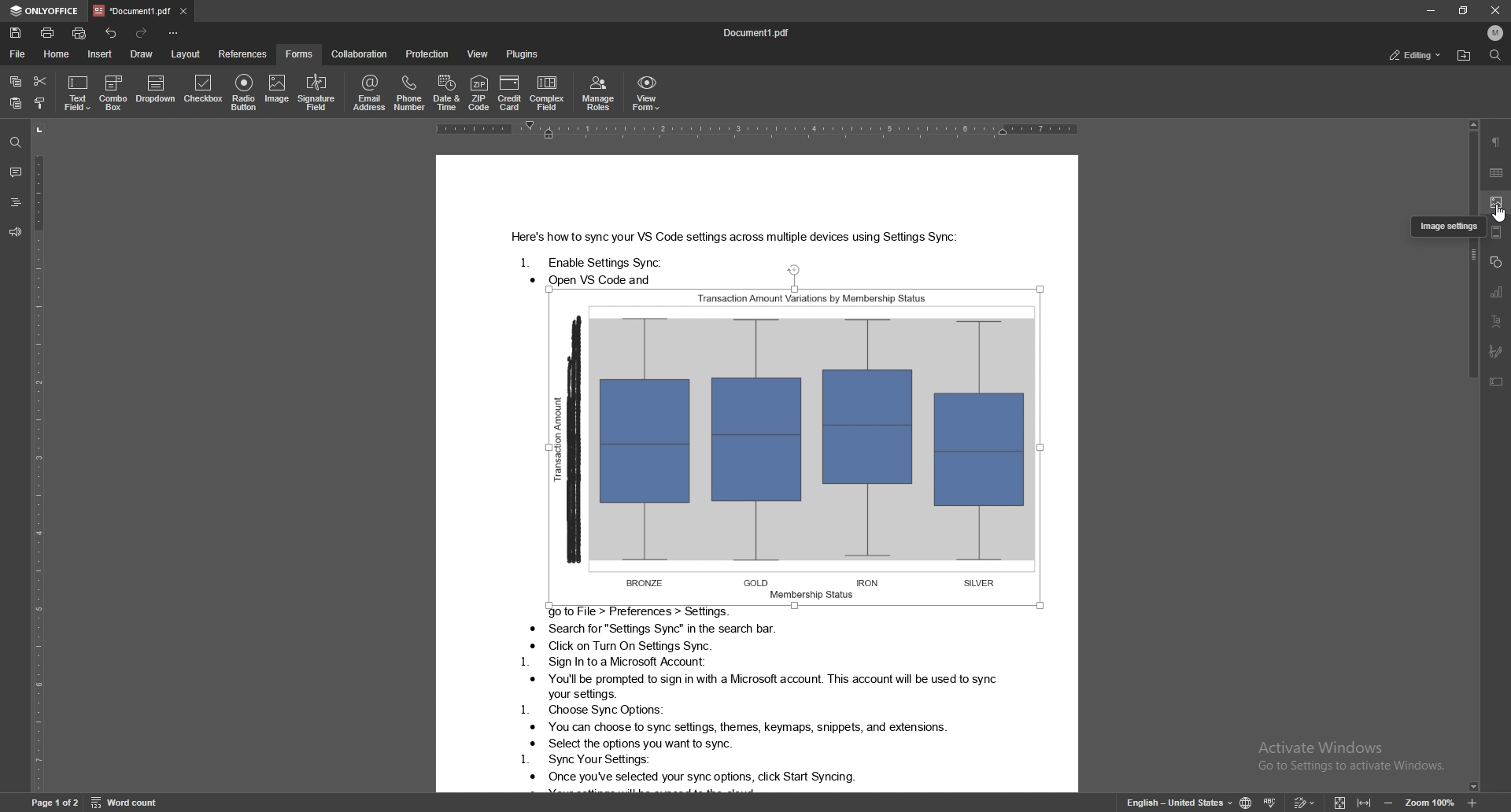 This screenshot has height=812, width=1511. I want to click on find, so click(16, 143).